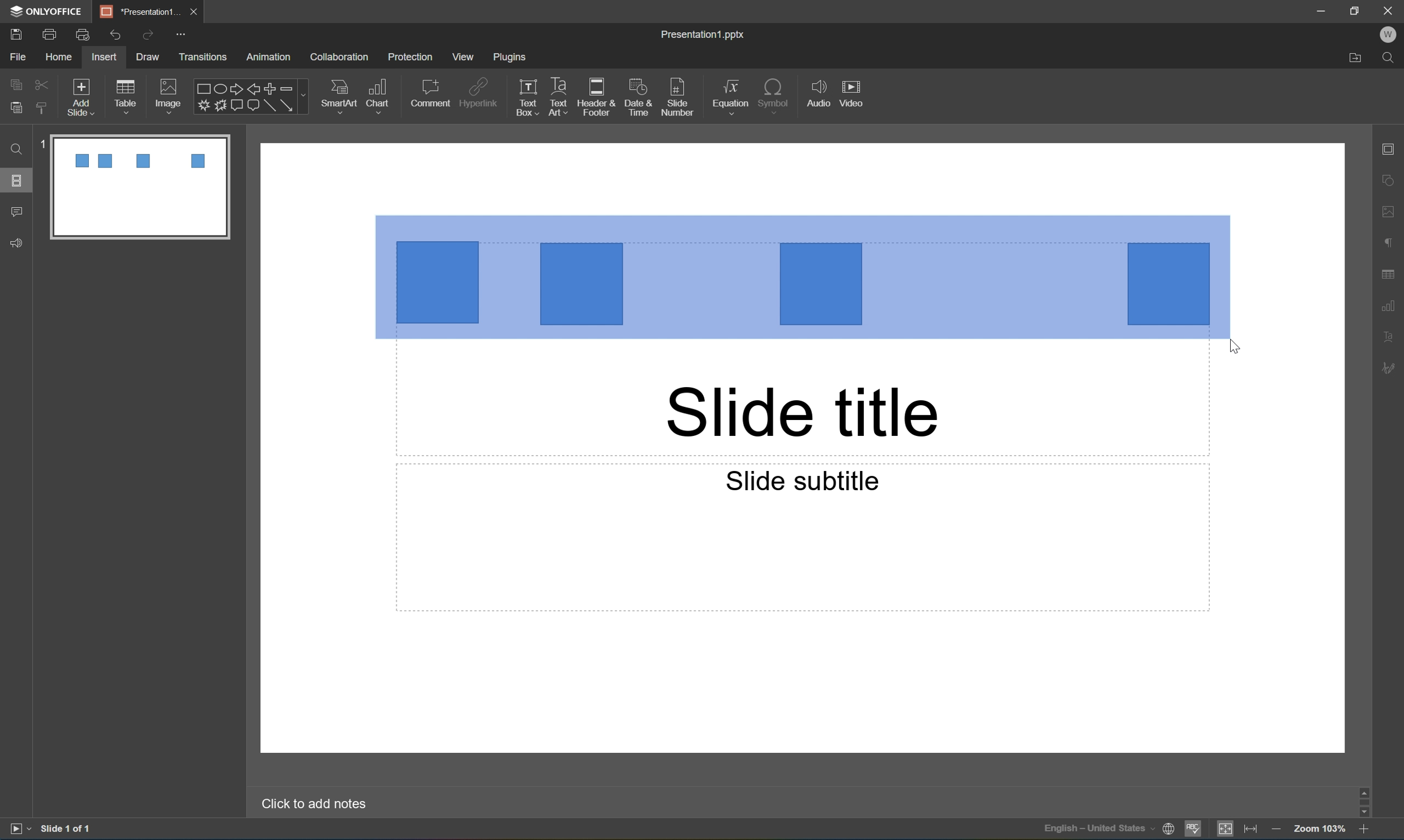  Describe the element at coordinates (1195, 830) in the screenshot. I see `spell checking` at that location.